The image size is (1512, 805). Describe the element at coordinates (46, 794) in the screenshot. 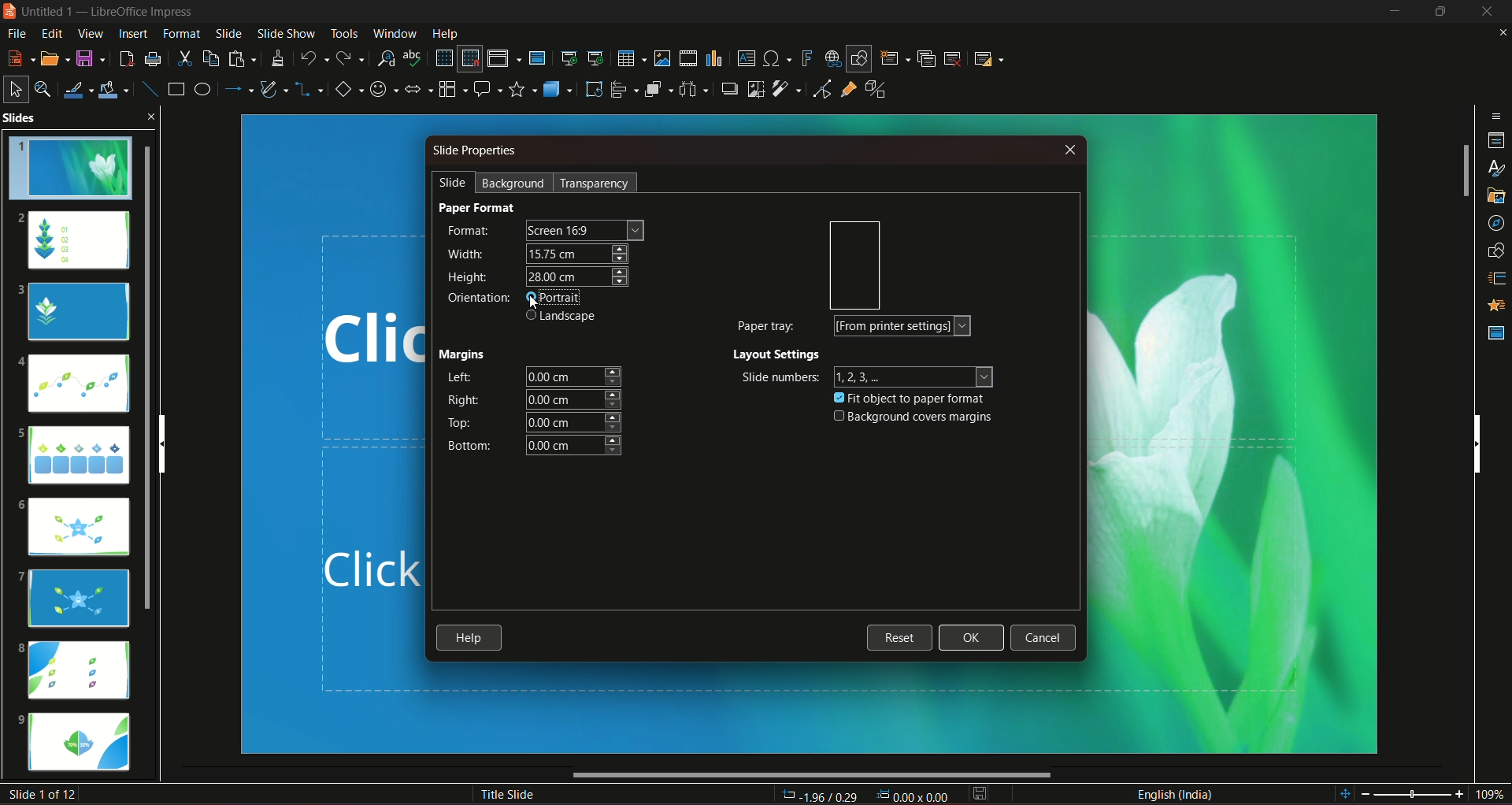

I see `slide number` at that location.